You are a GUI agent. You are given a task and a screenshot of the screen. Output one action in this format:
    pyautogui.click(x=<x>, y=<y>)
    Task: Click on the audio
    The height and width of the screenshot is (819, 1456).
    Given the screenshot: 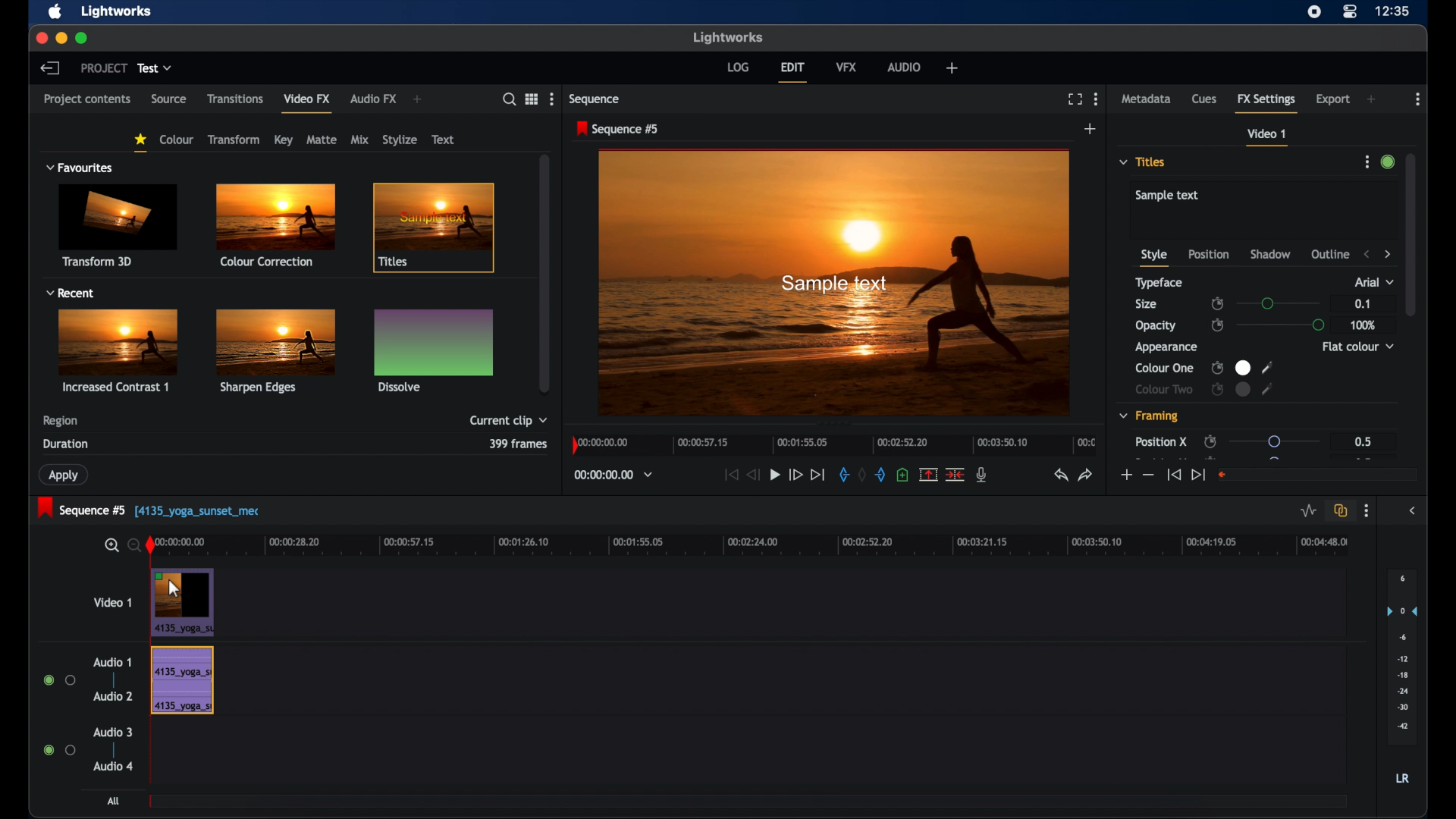 What is the action you would take?
    pyautogui.click(x=904, y=66)
    